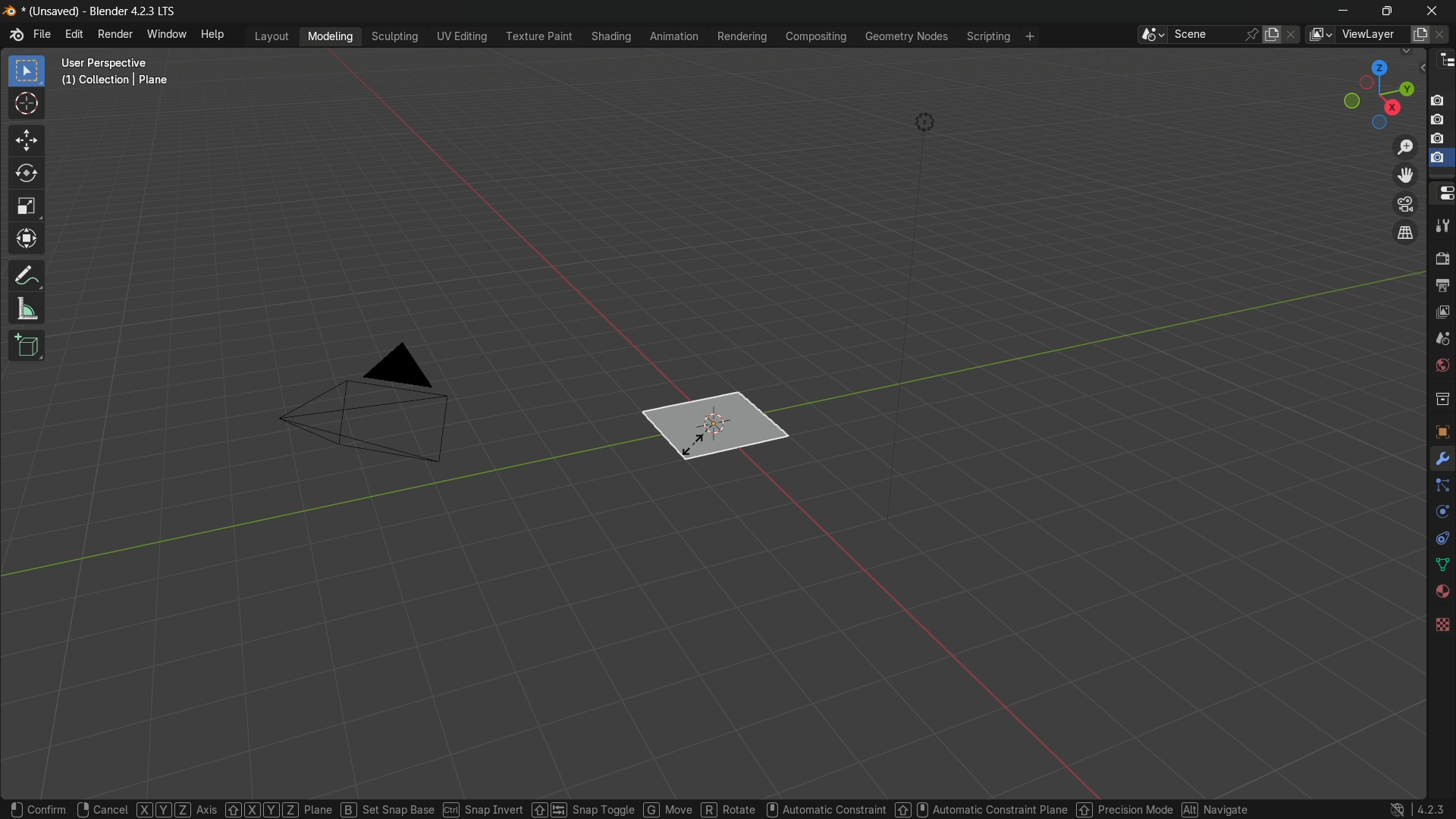  Describe the element at coordinates (680, 808) in the screenshot. I see `move` at that location.